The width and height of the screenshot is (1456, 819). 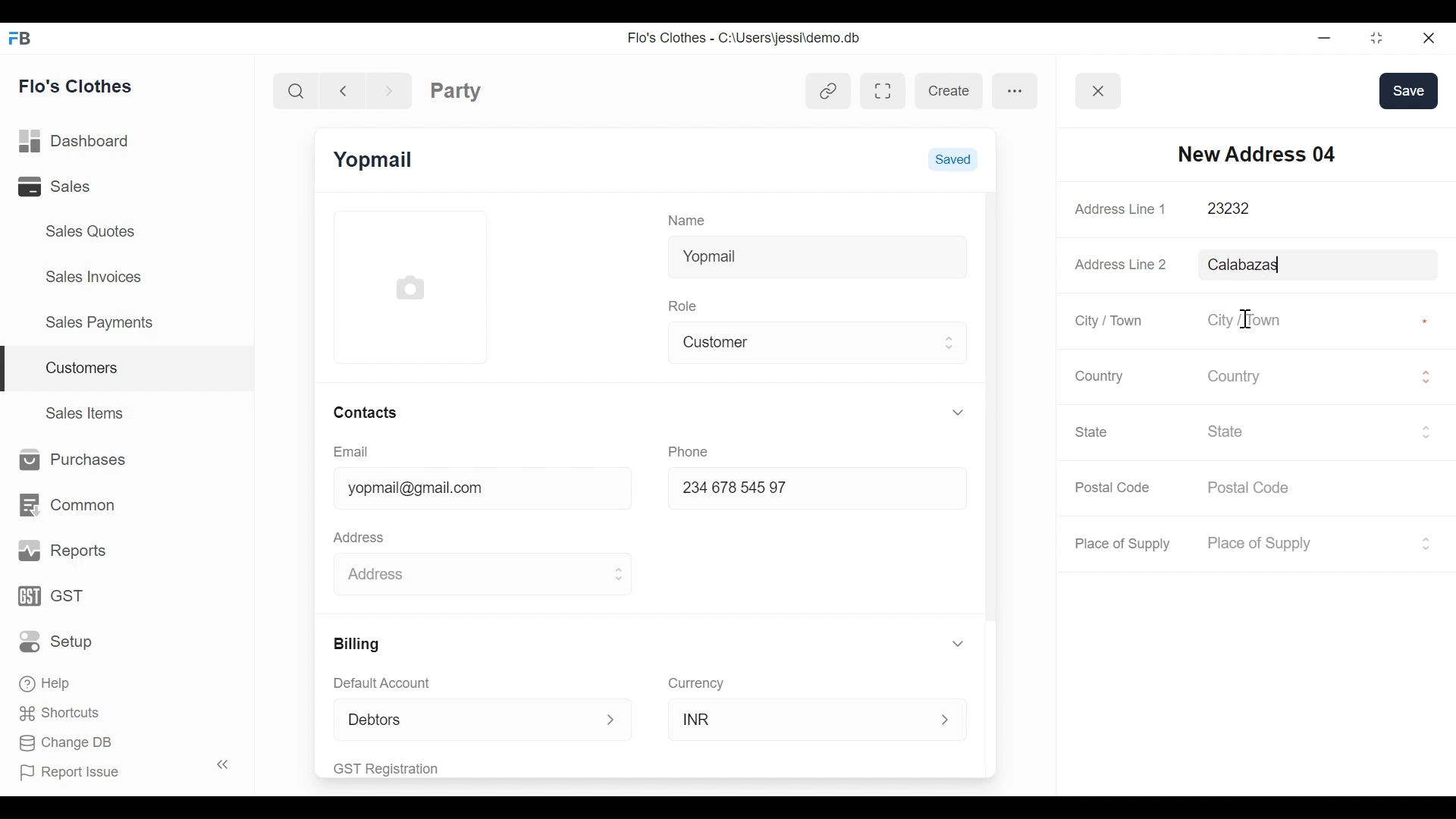 What do you see at coordinates (465, 571) in the screenshot?
I see `Address` at bounding box center [465, 571].